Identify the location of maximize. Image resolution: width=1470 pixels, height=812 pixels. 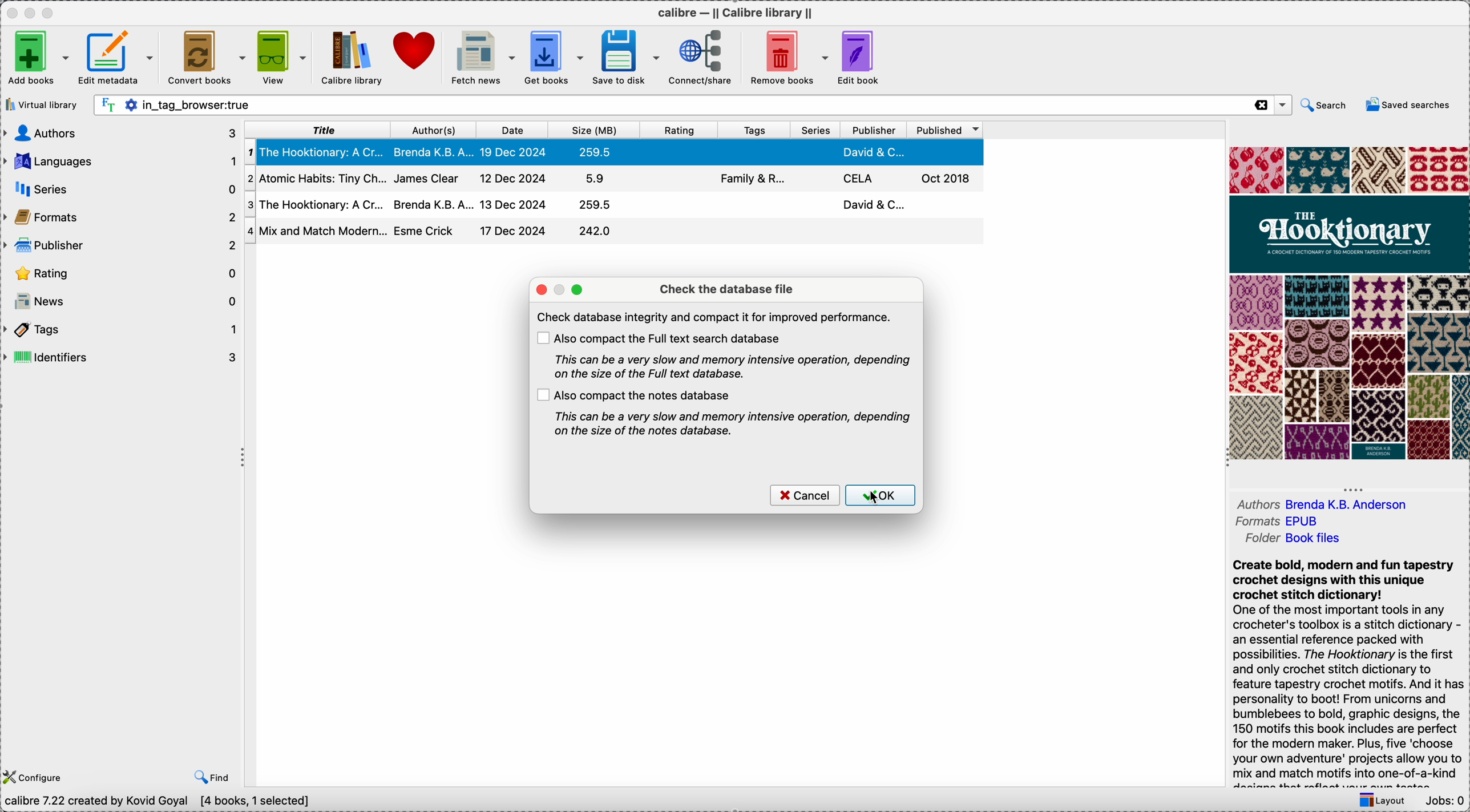
(580, 289).